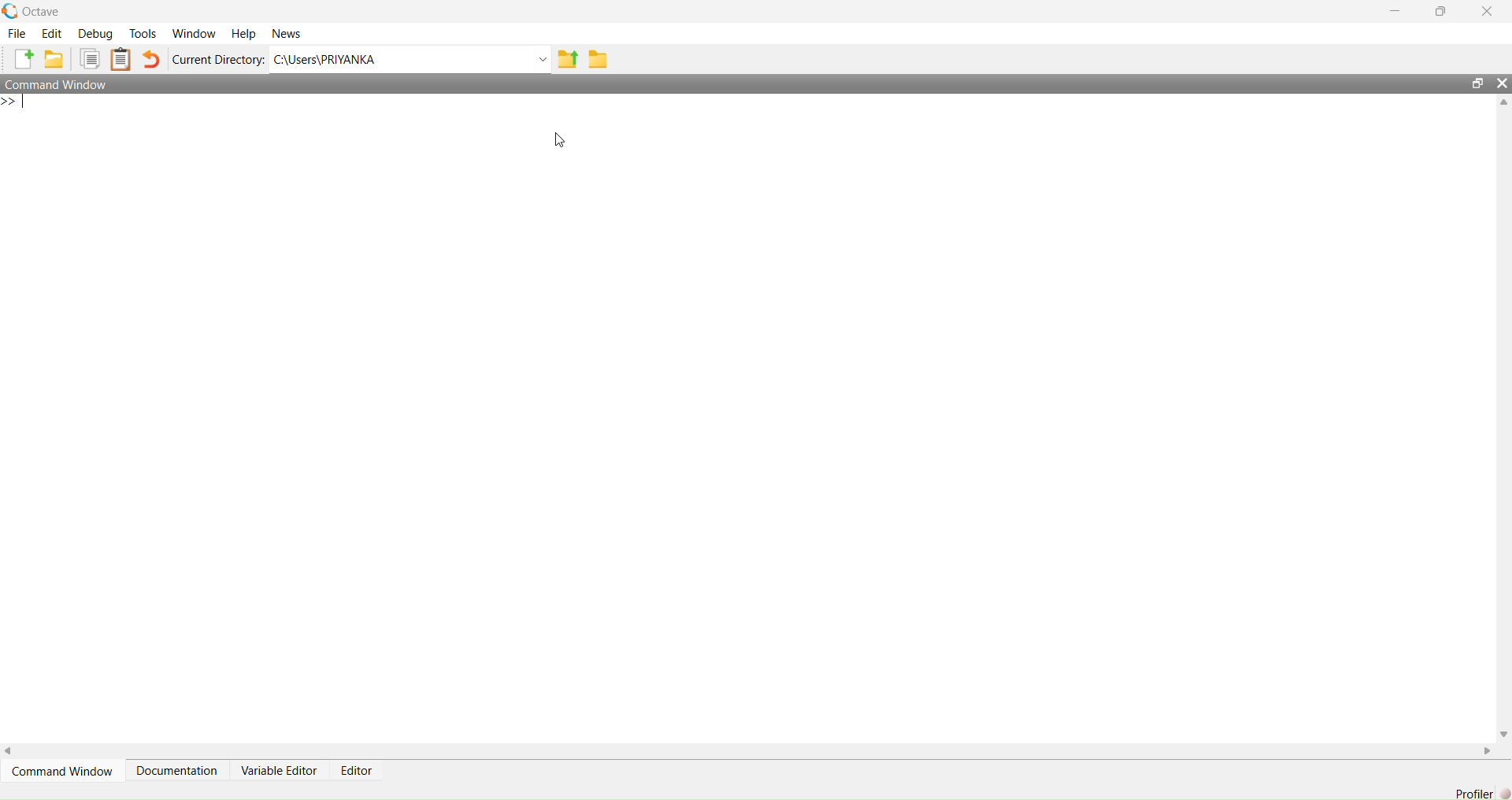  What do you see at coordinates (243, 34) in the screenshot?
I see `Help` at bounding box center [243, 34].